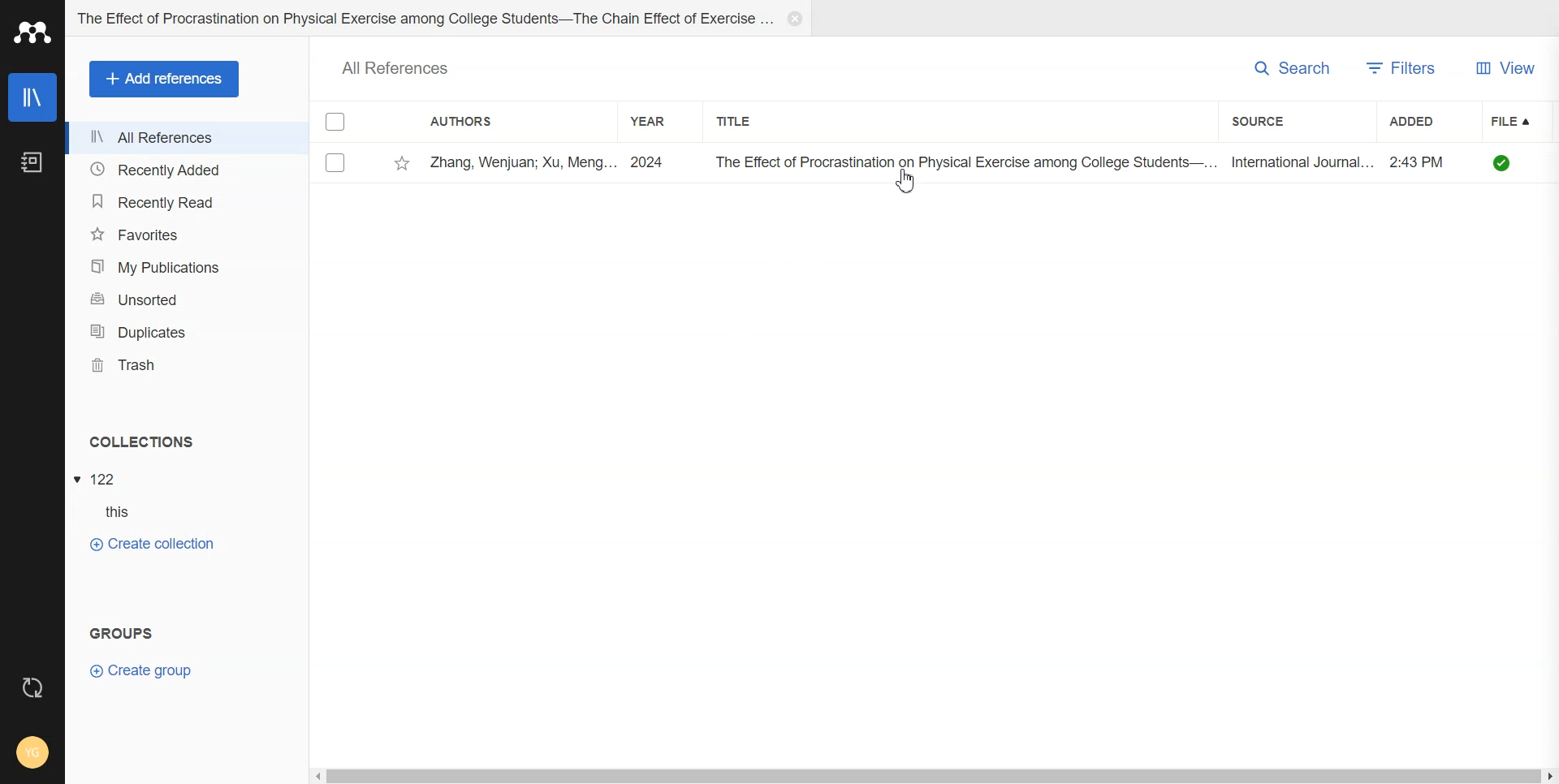 The height and width of the screenshot is (784, 1559). Describe the element at coordinates (1292, 120) in the screenshot. I see `Source` at that location.